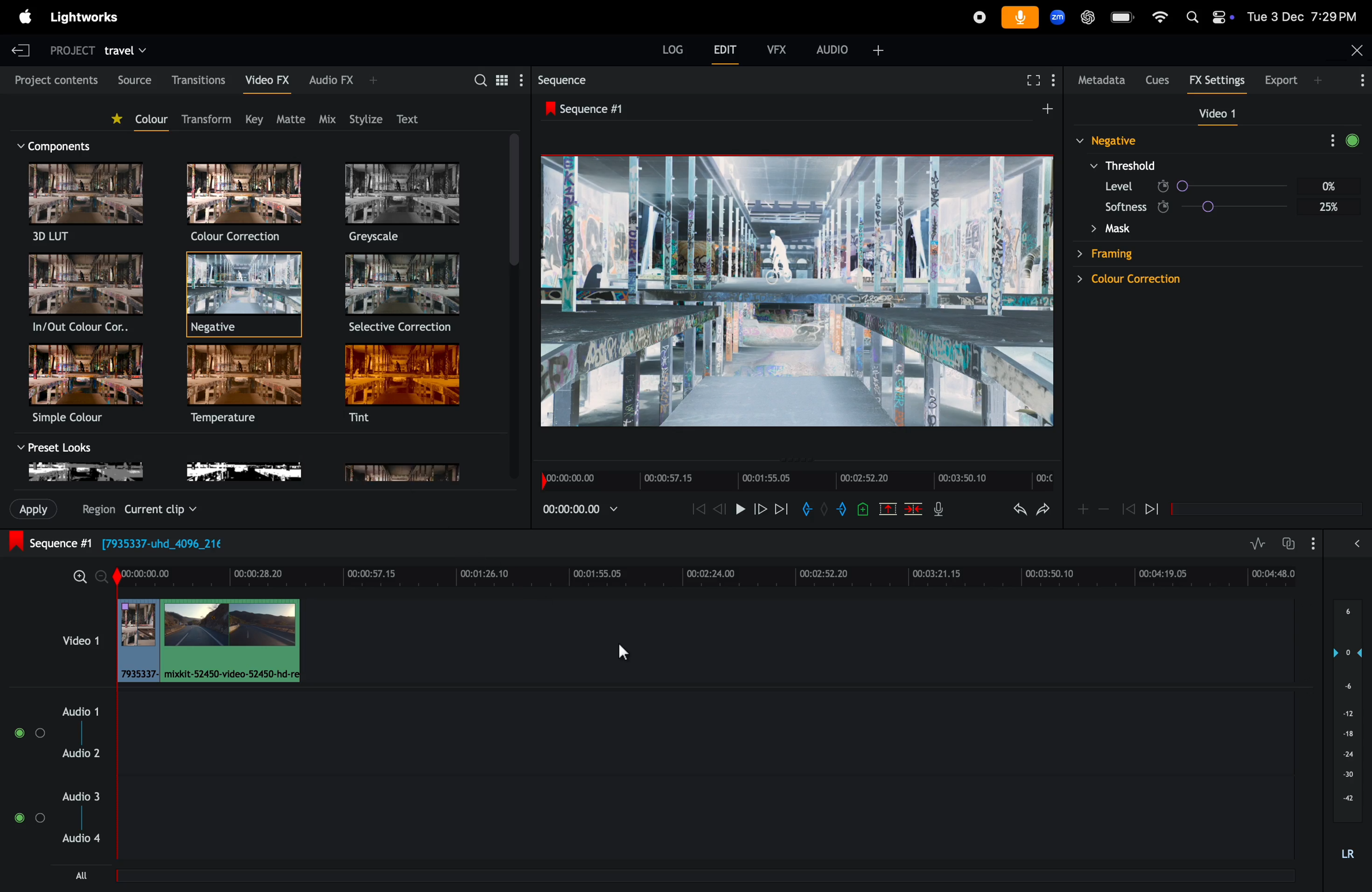 The height and width of the screenshot is (892, 1372). Describe the element at coordinates (18, 16) in the screenshot. I see `apple menu` at that location.